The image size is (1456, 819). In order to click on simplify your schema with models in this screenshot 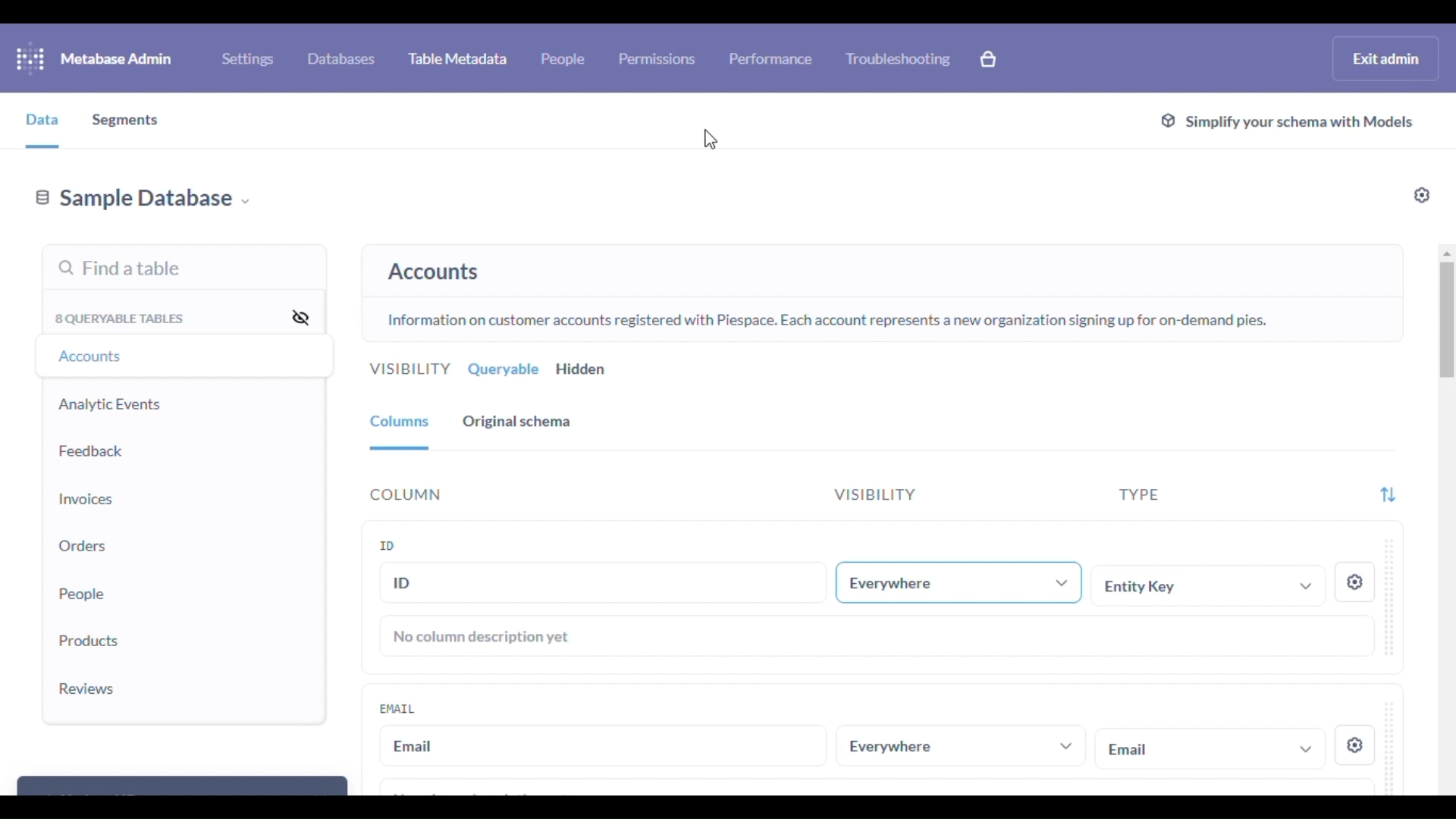, I will do `click(1286, 123)`.